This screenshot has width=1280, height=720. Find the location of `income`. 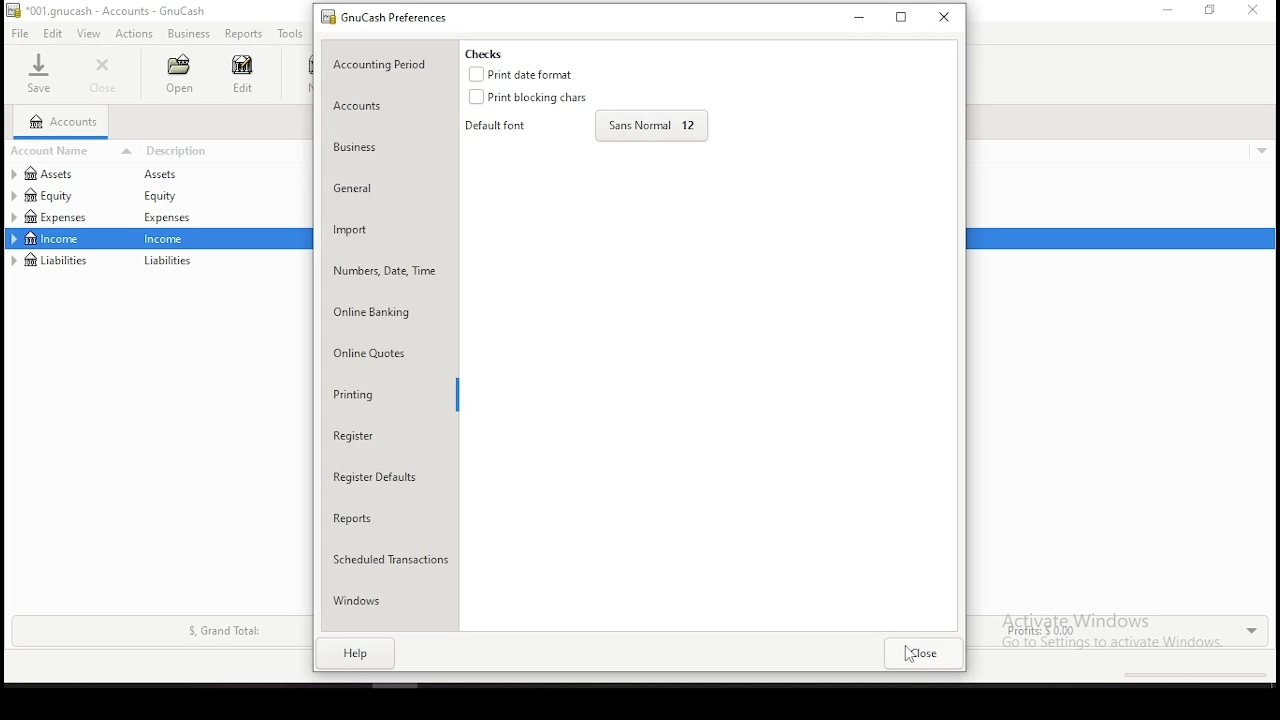

income is located at coordinates (168, 239).